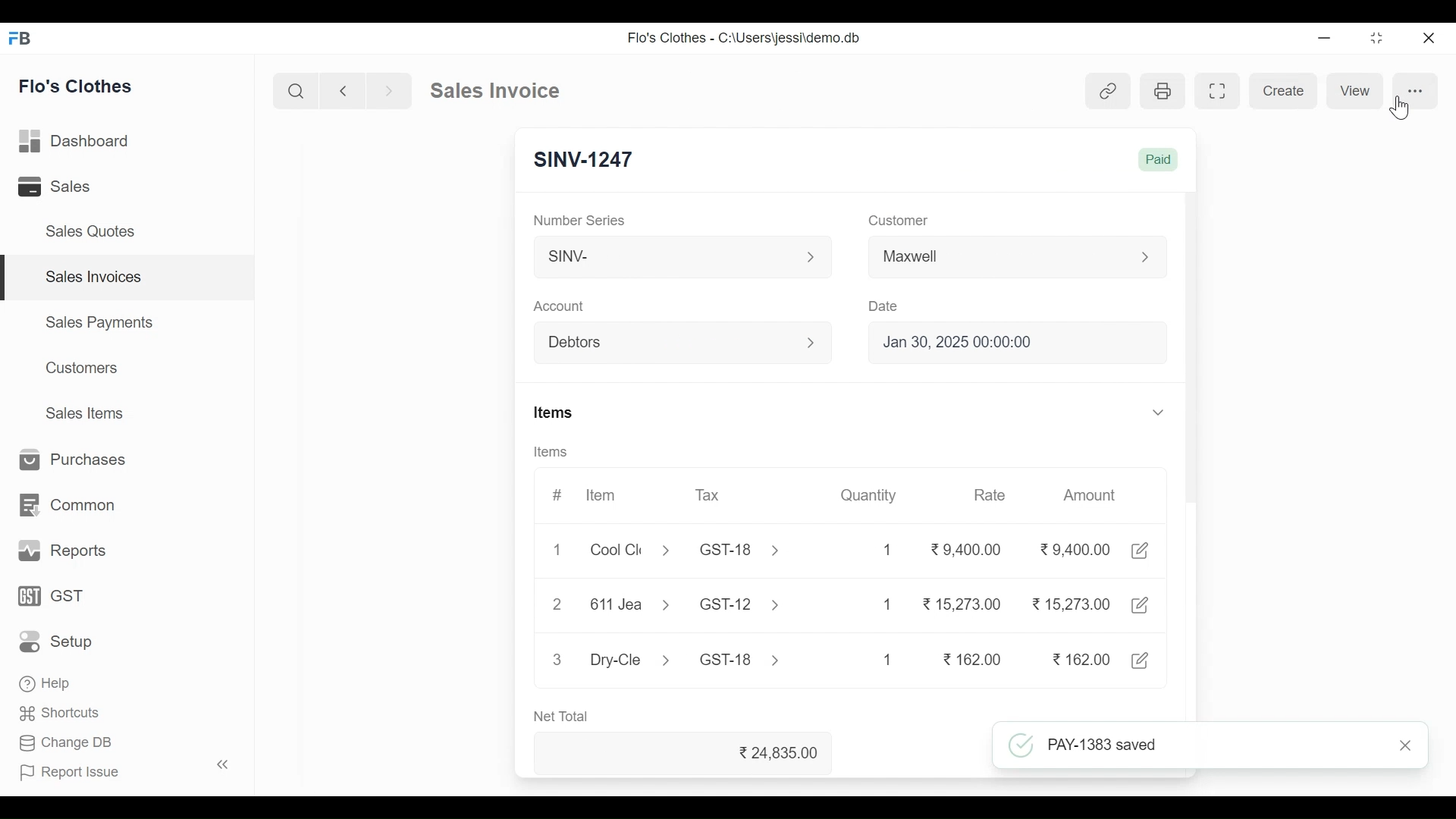 This screenshot has width=1456, height=819. What do you see at coordinates (670, 344) in the screenshot?
I see `Debtors` at bounding box center [670, 344].